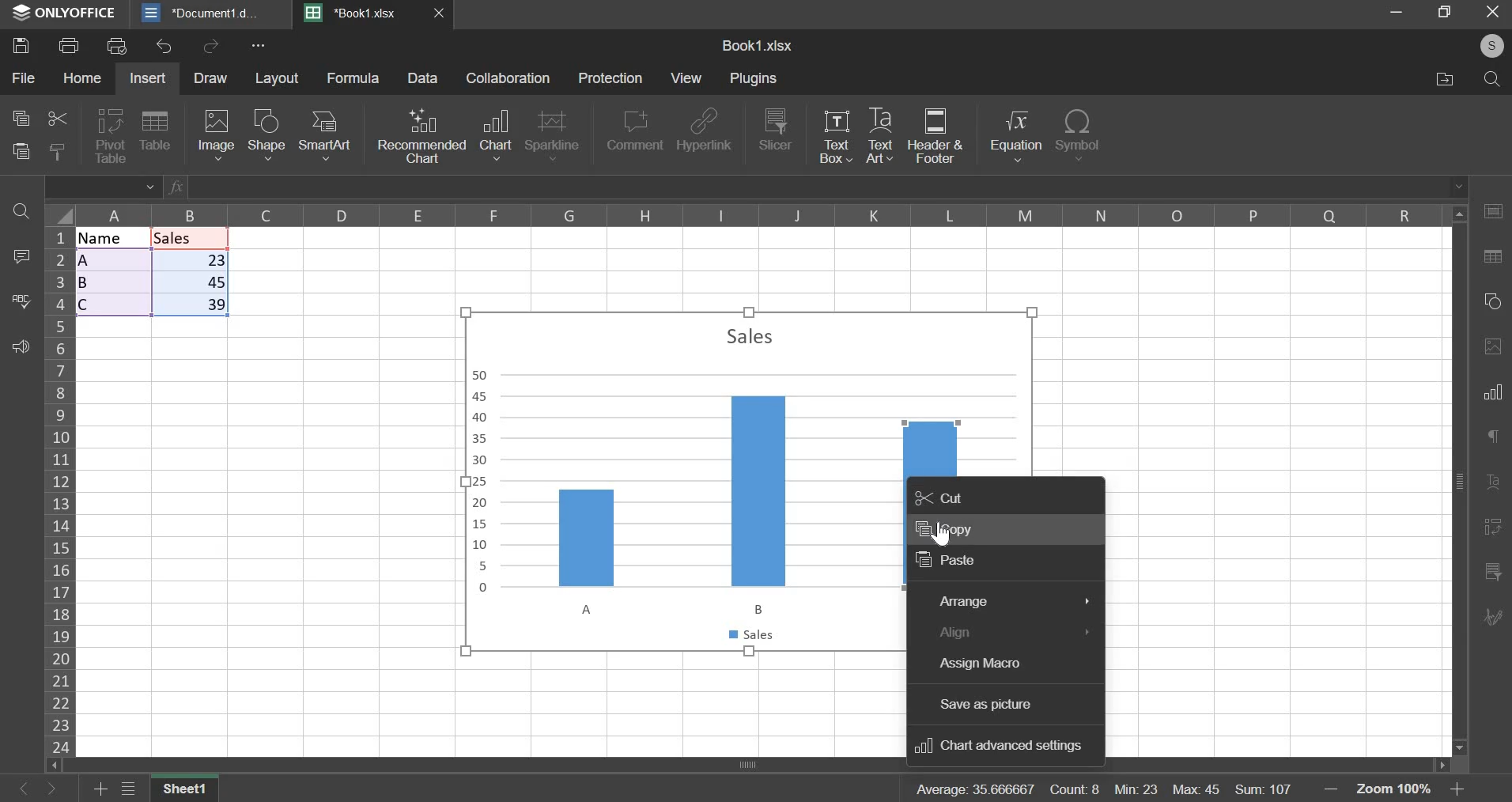 The width and height of the screenshot is (1512, 802). Describe the element at coordinates (22, 151) in the screenshot. I see `paste` at that location.